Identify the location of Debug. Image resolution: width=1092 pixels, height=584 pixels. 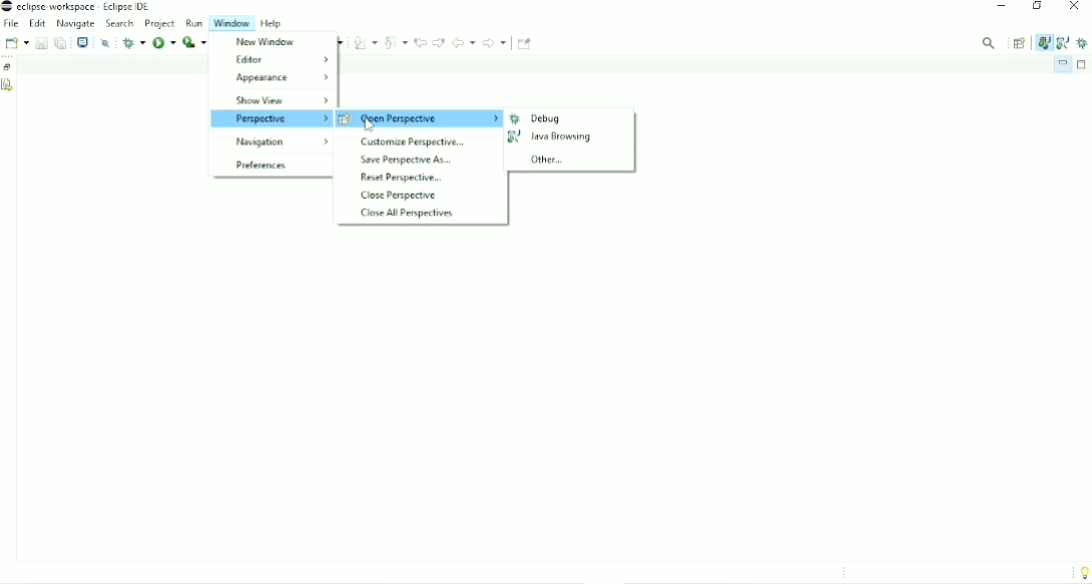
(1083, 42).